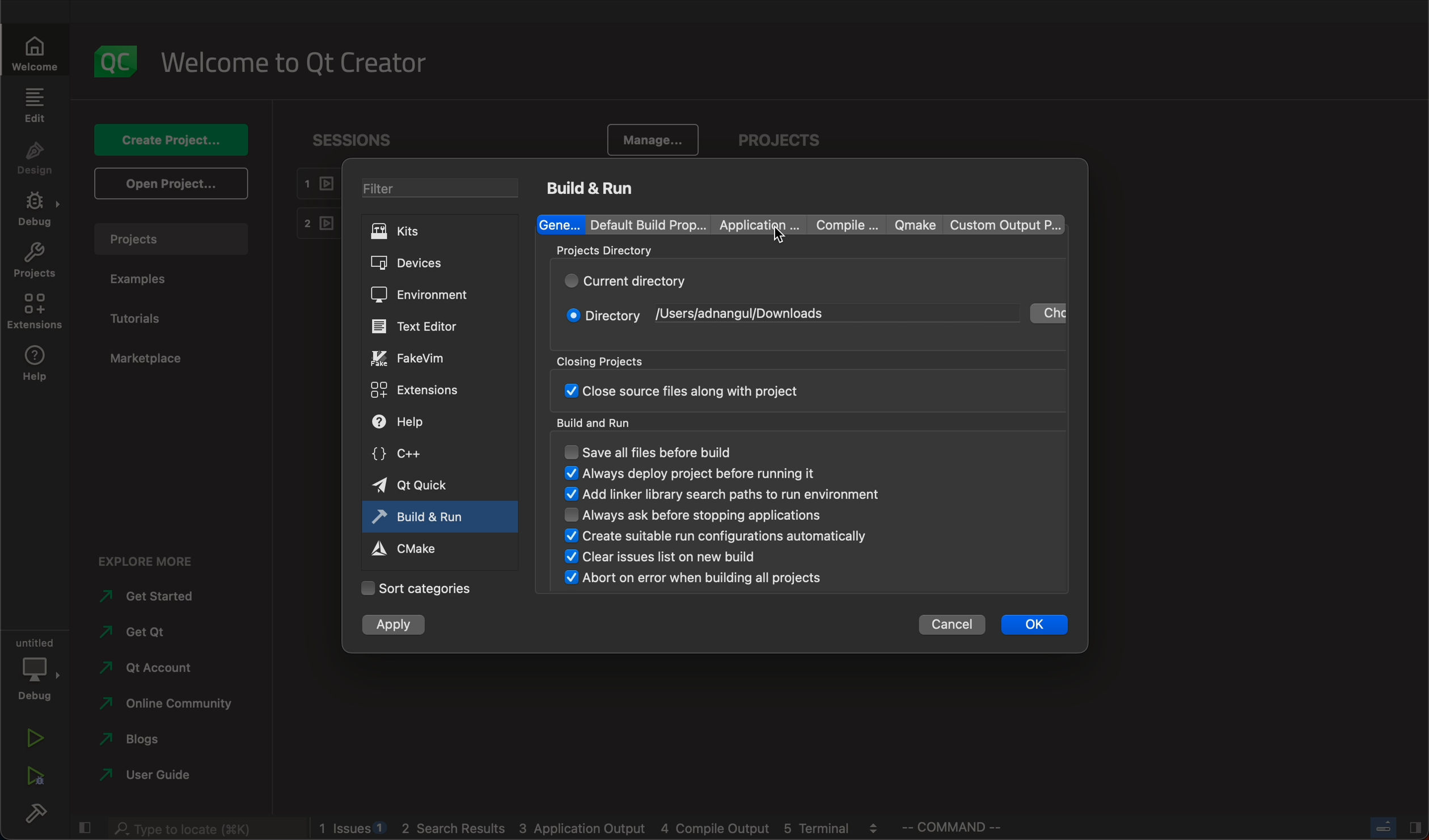  Describe the element at coordinates (360, 138) in the screenshot. I see `sessions` at that location.